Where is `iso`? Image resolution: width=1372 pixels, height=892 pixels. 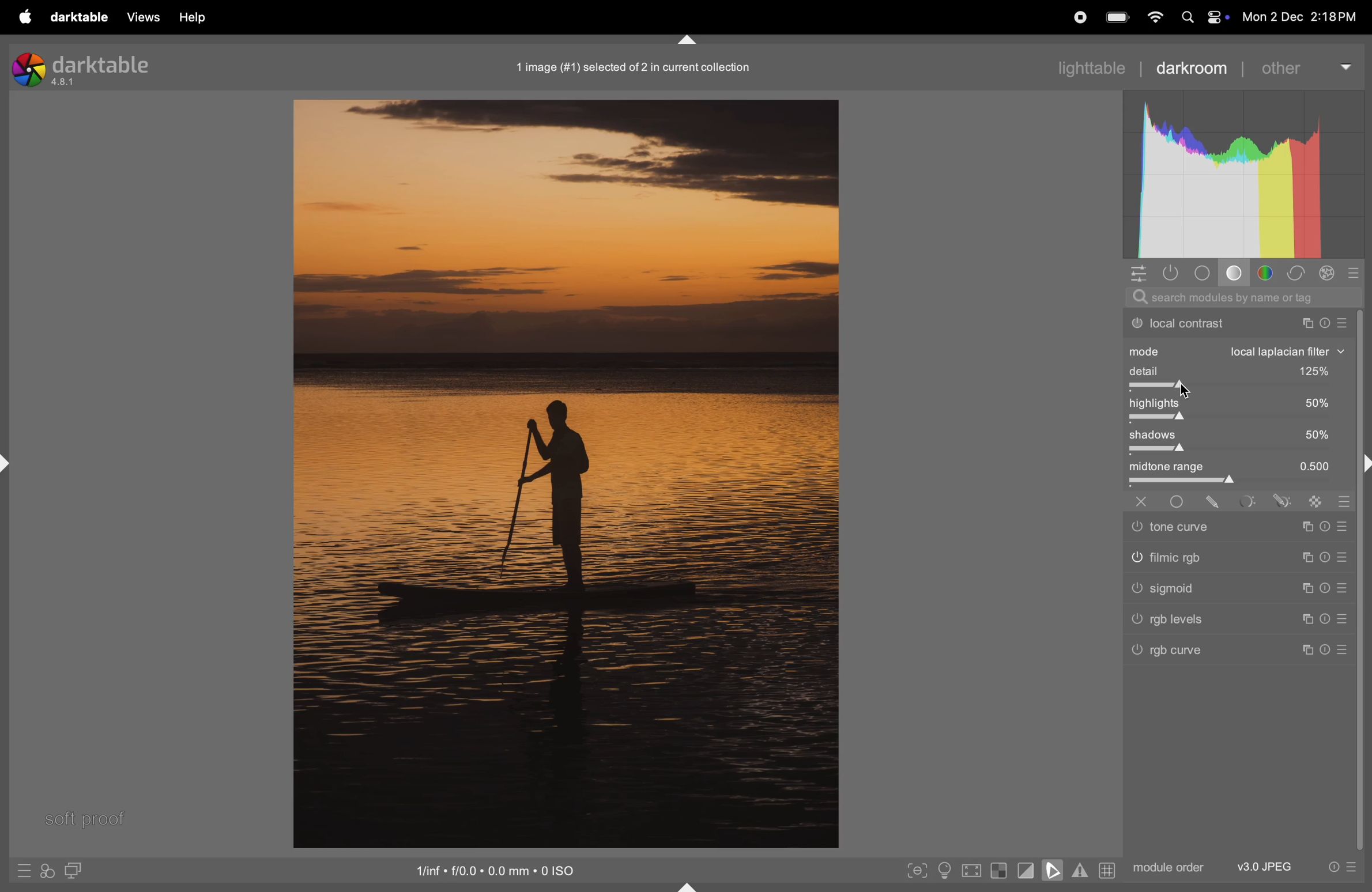 iso is located at coordinates (490, 869).